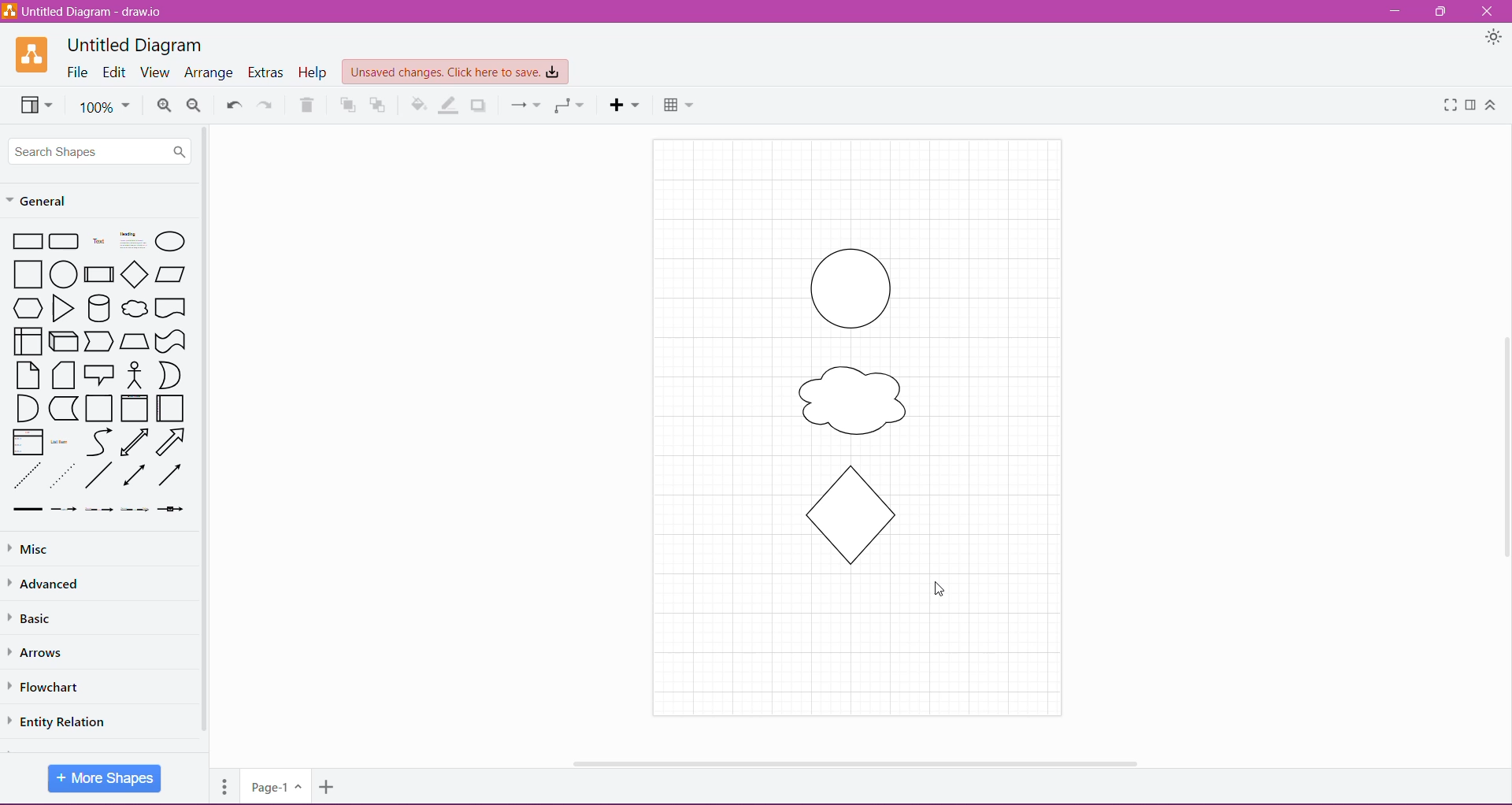 The height and width of the screenshot is (805, 1512). What do you see at coordinates (88, 11) in the screenshot?
I see `Untitled Diagram - draw.io` at bounding box center [88, 11].